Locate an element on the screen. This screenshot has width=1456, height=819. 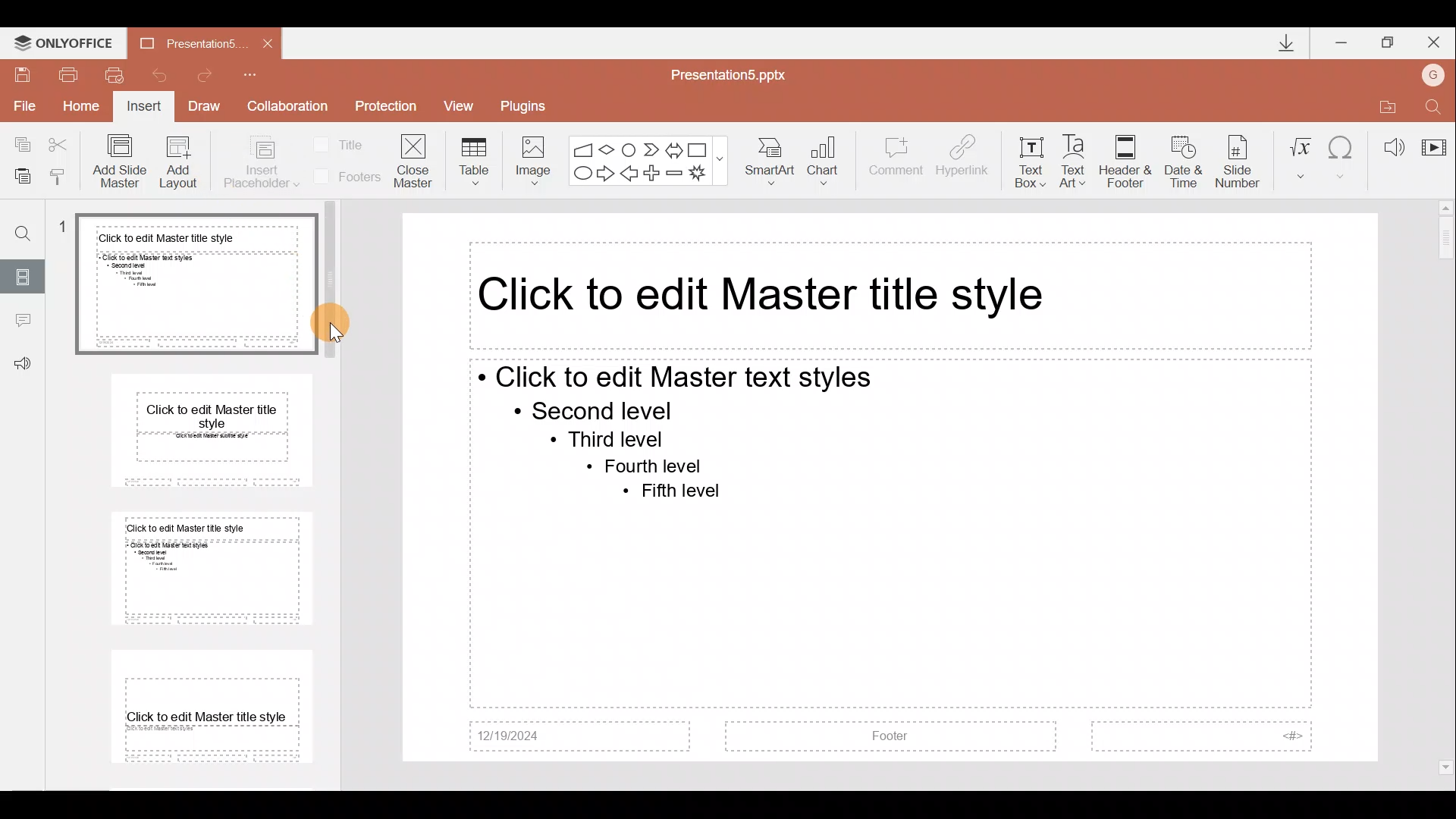
Document name is located at coordinates (181, 42).